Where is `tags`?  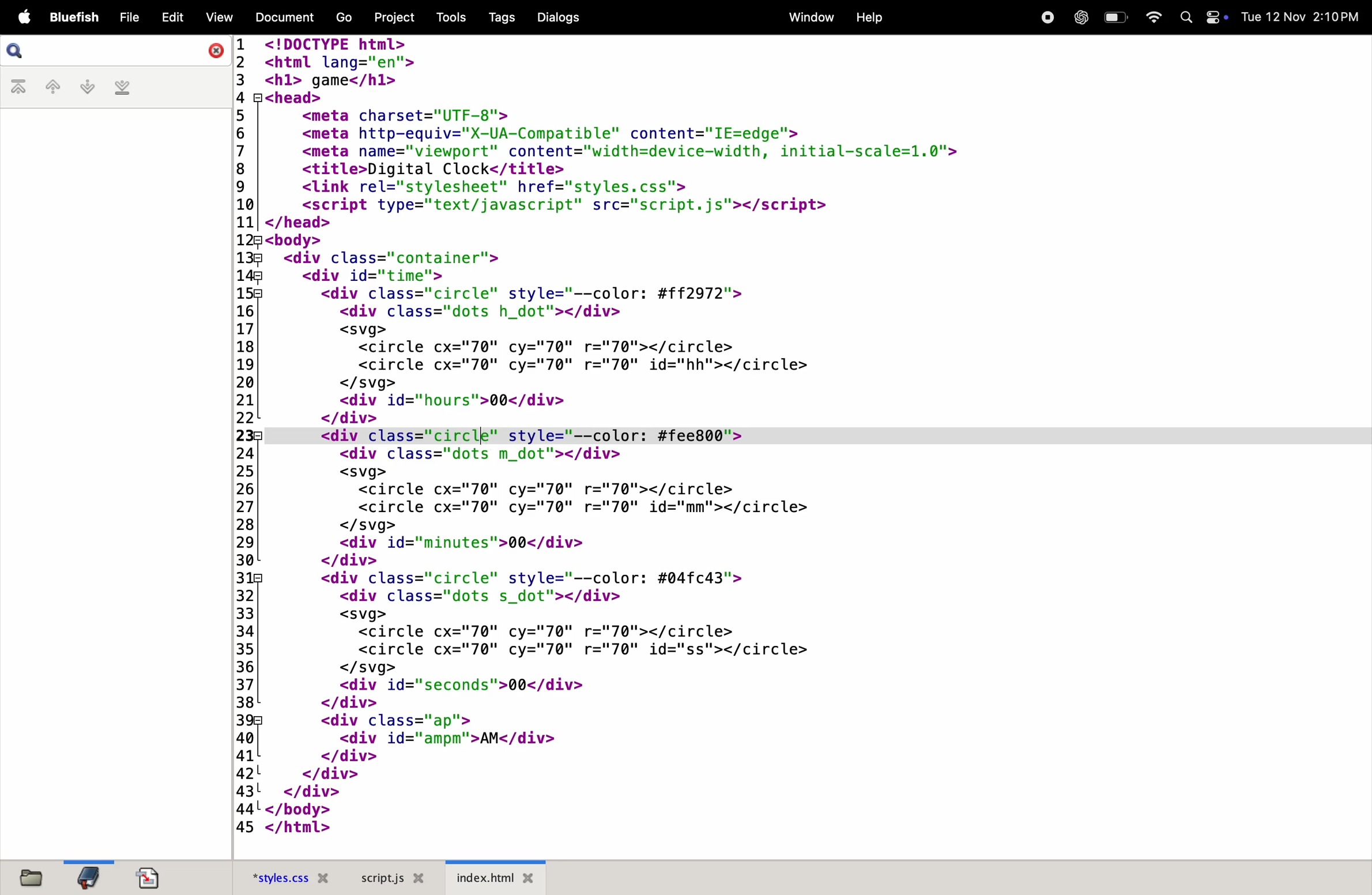
tags is located at coordinates (500, 16).